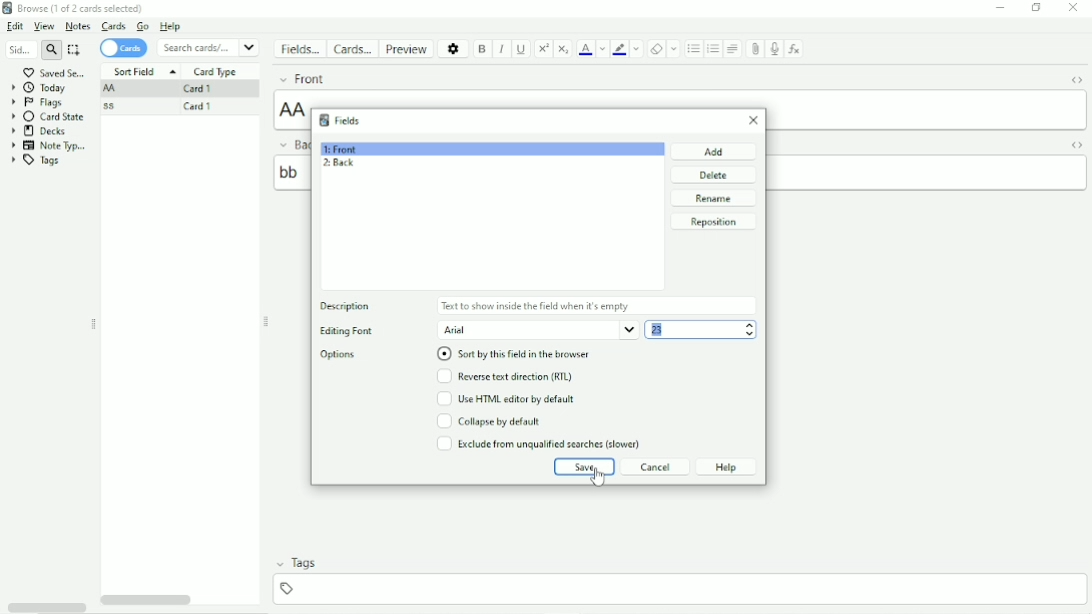 This screenshot has width=1092, height=614. What do you see at coordinates (734, 49) in the screenshot?
I see `Alignment` at bounding box center [734, 49].